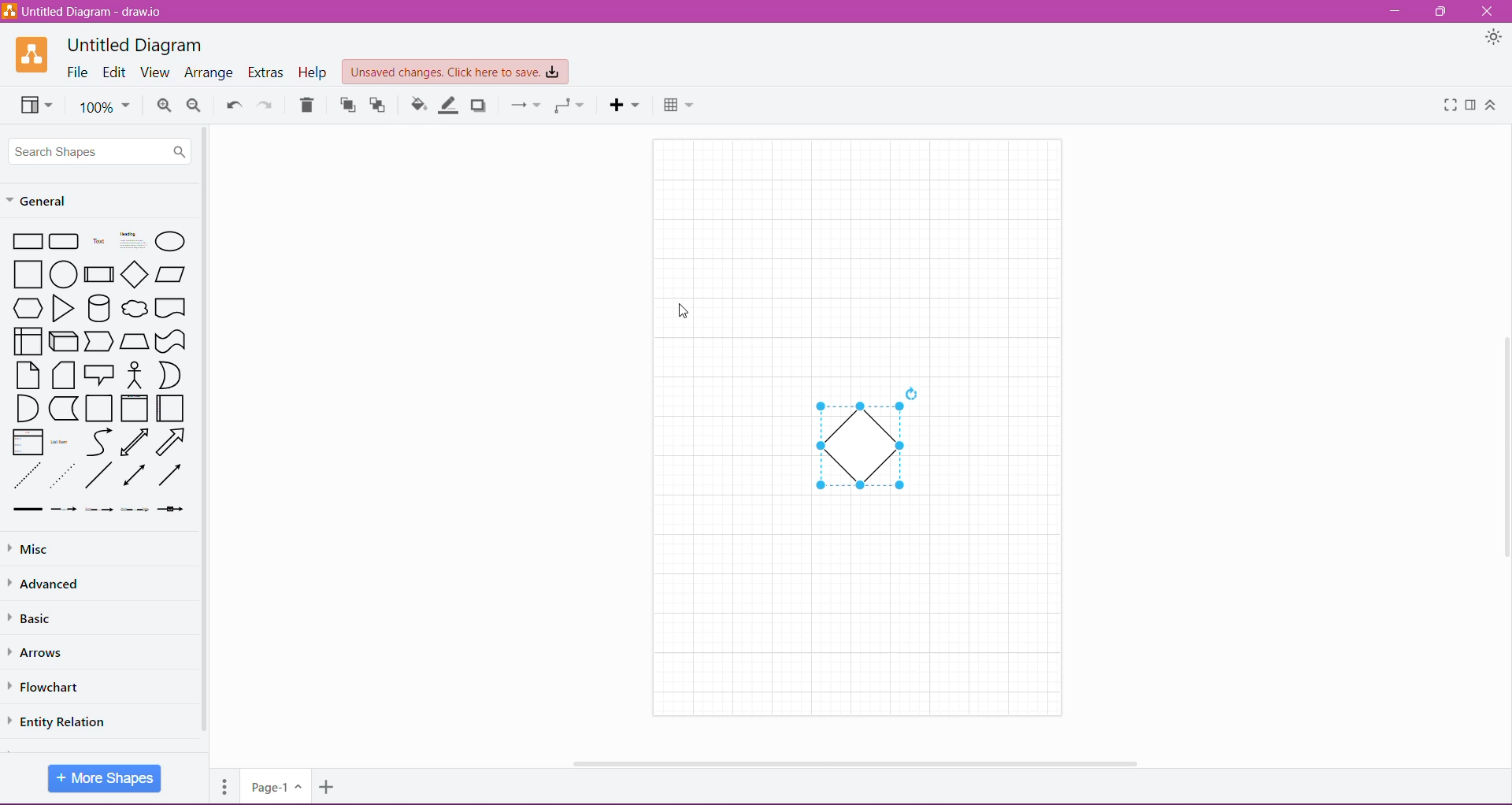 This screenshot has width=1512, height=805. Describe the element at coordinates (135, 43) in the screenshot. I see `Untitled Diagram` at that location.